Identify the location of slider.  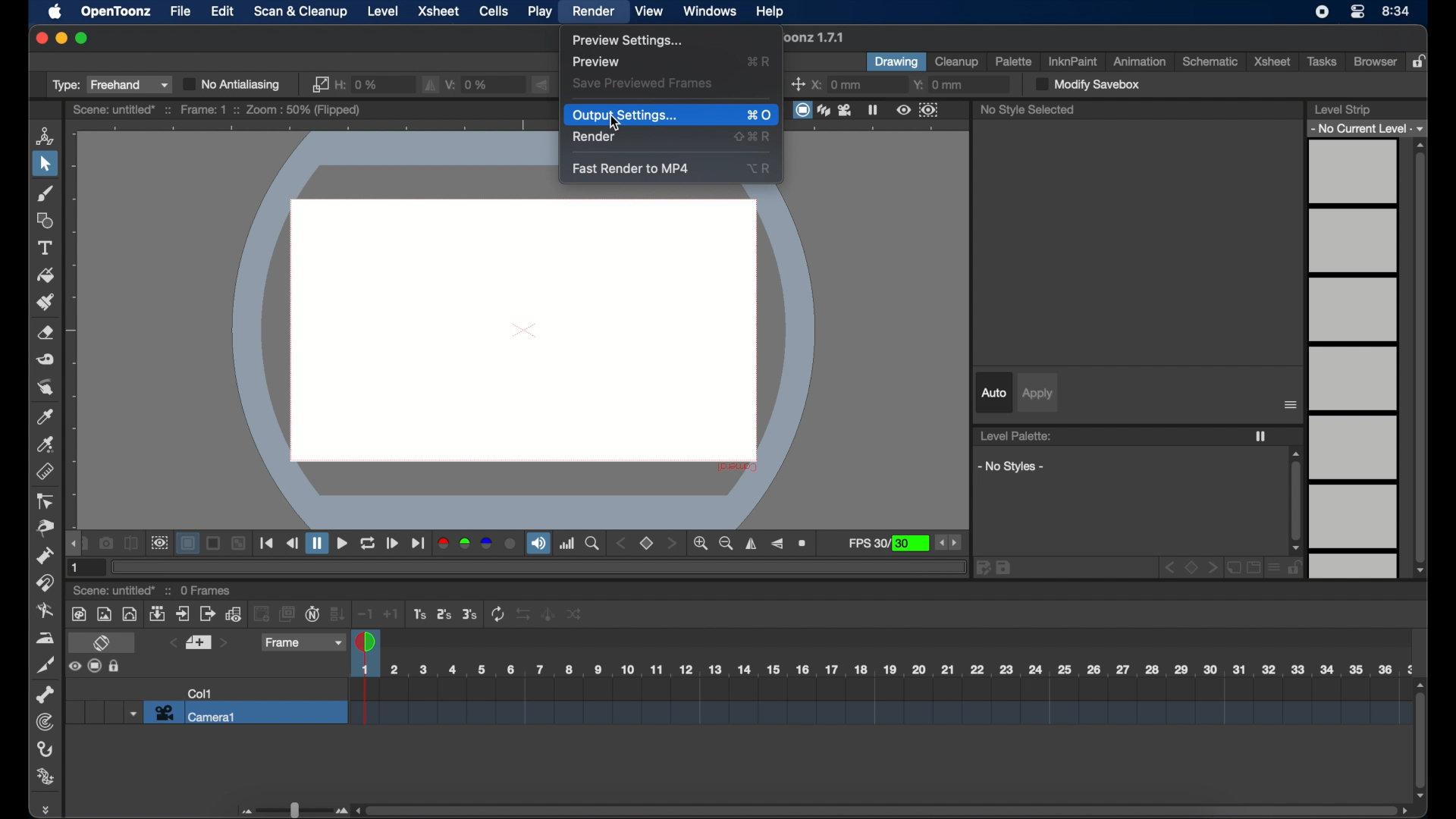
(292, 810).